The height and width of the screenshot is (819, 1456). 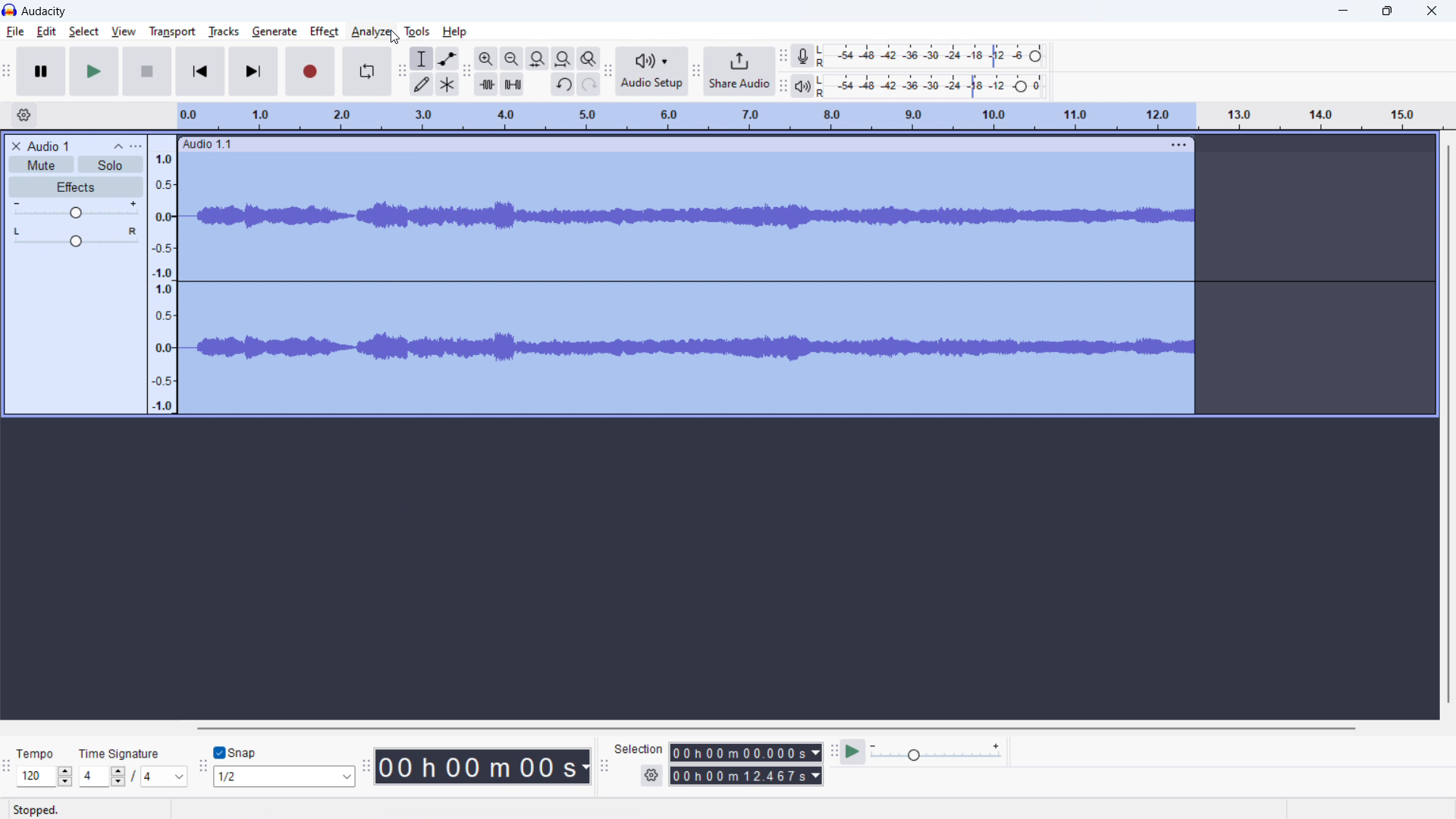 I want to click on selection tool, so click(x=422, y=58).